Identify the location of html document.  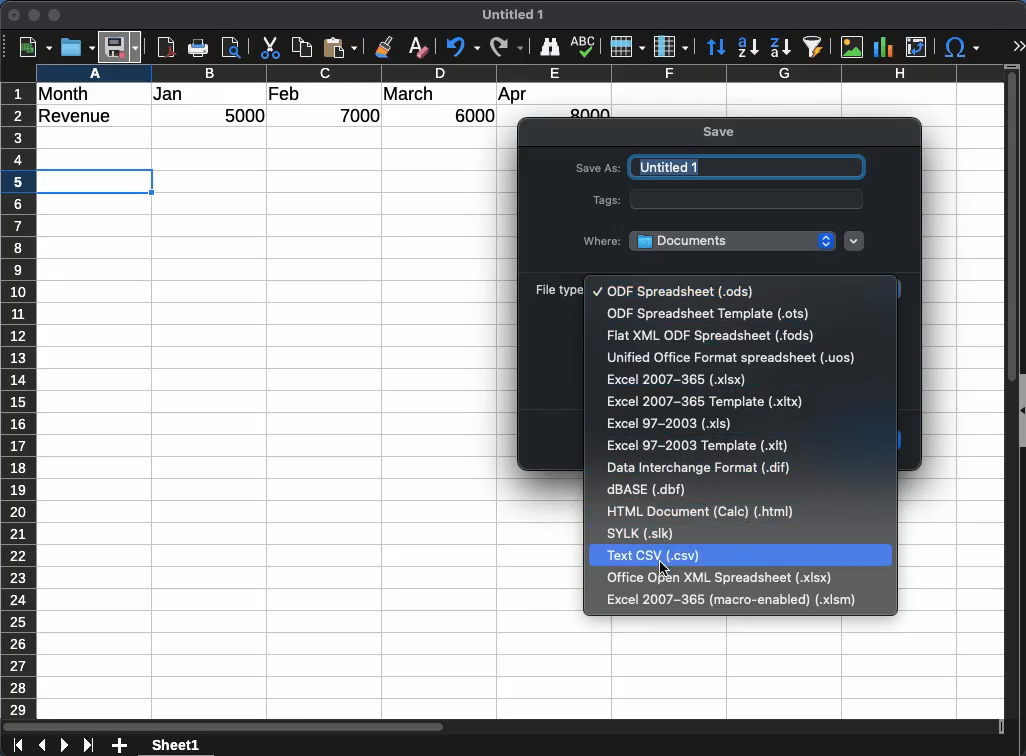
(701, 514).